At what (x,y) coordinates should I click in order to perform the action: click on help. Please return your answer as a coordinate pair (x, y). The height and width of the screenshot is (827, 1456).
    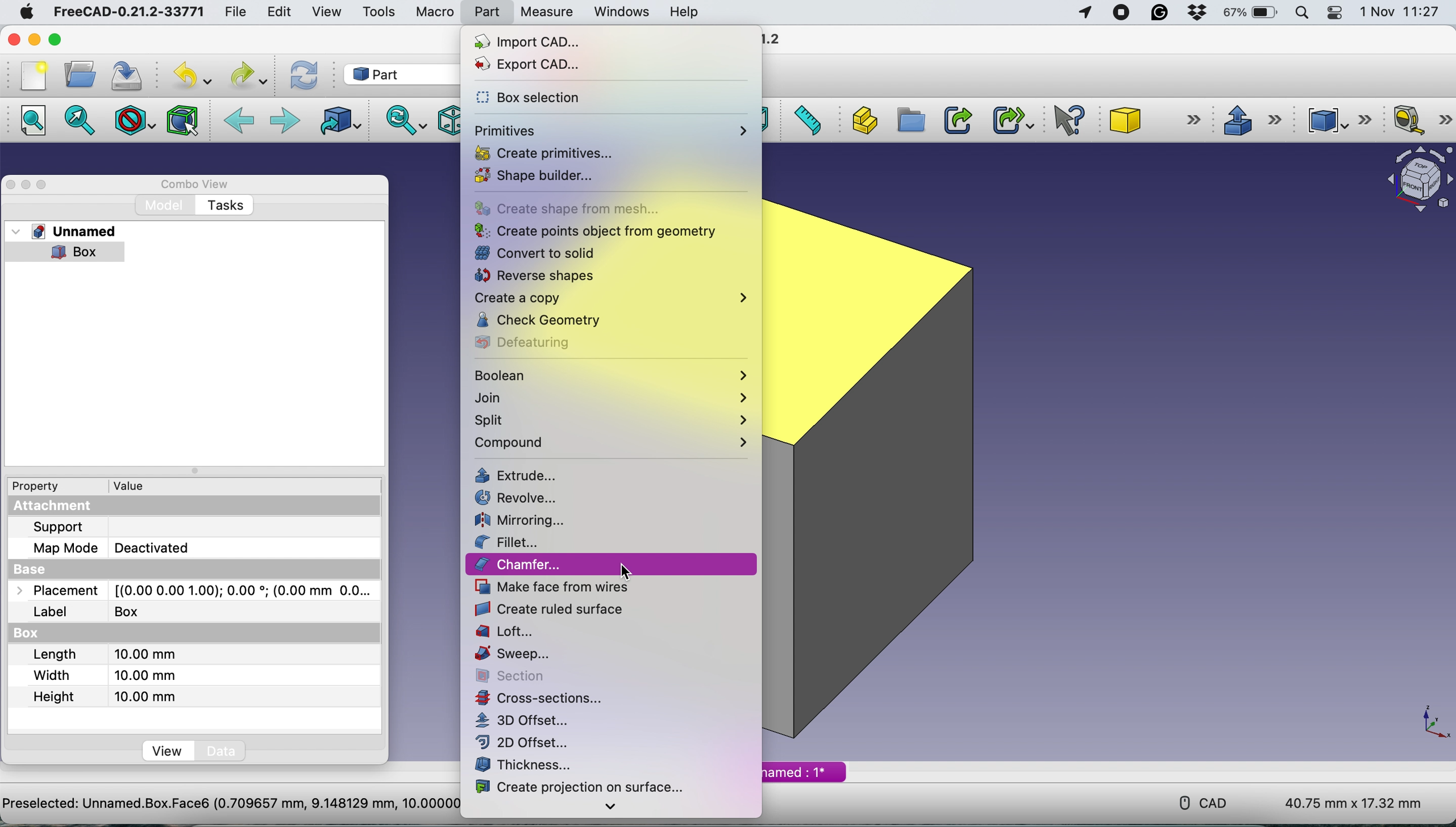
    Looking at the image, I should click on (687, 11).